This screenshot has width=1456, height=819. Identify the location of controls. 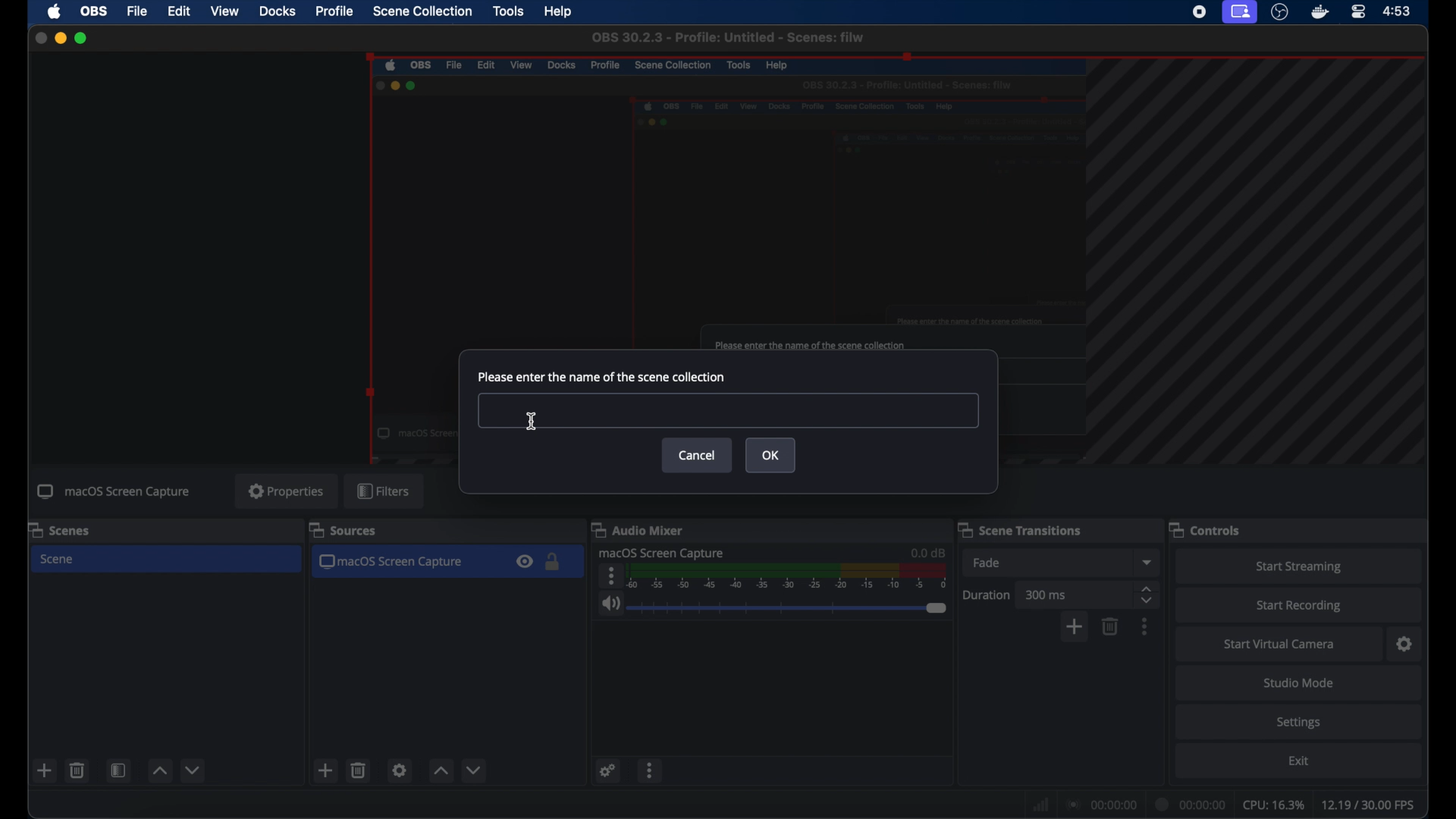
(1207, 529).